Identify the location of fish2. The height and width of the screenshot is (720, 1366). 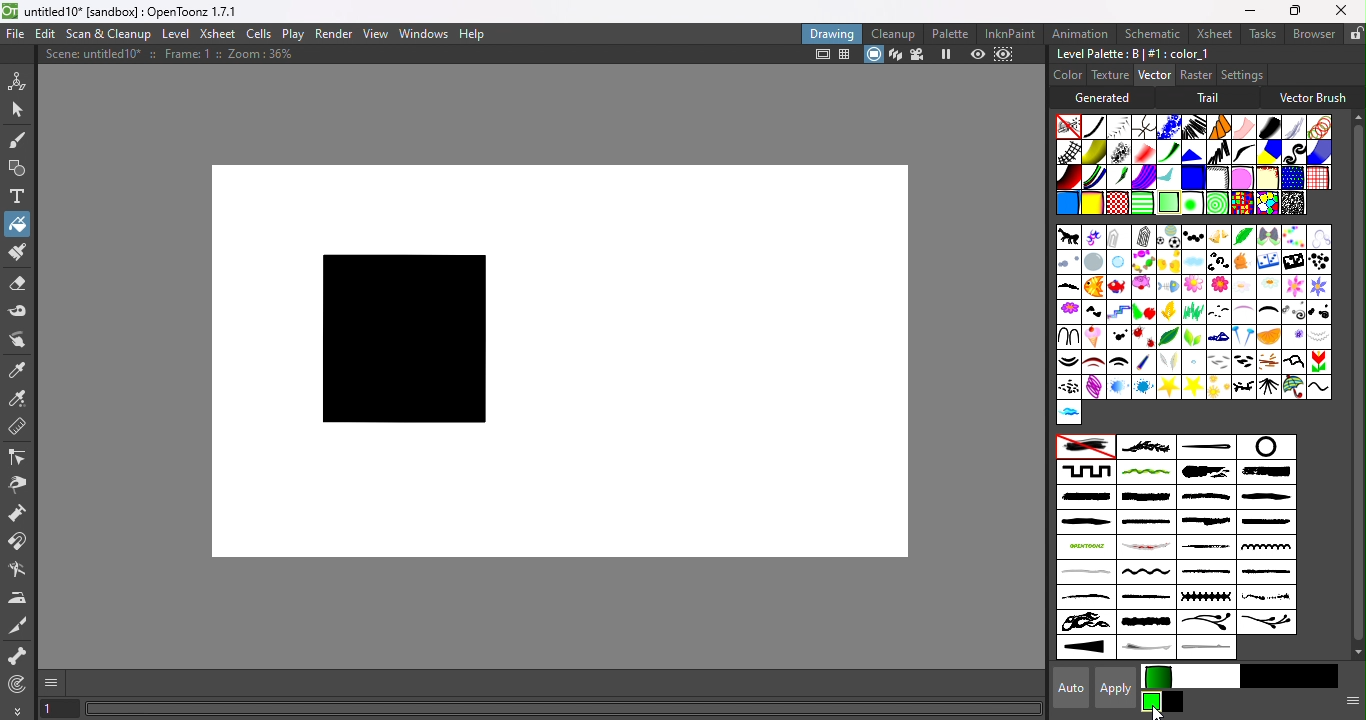
(1118, 286).